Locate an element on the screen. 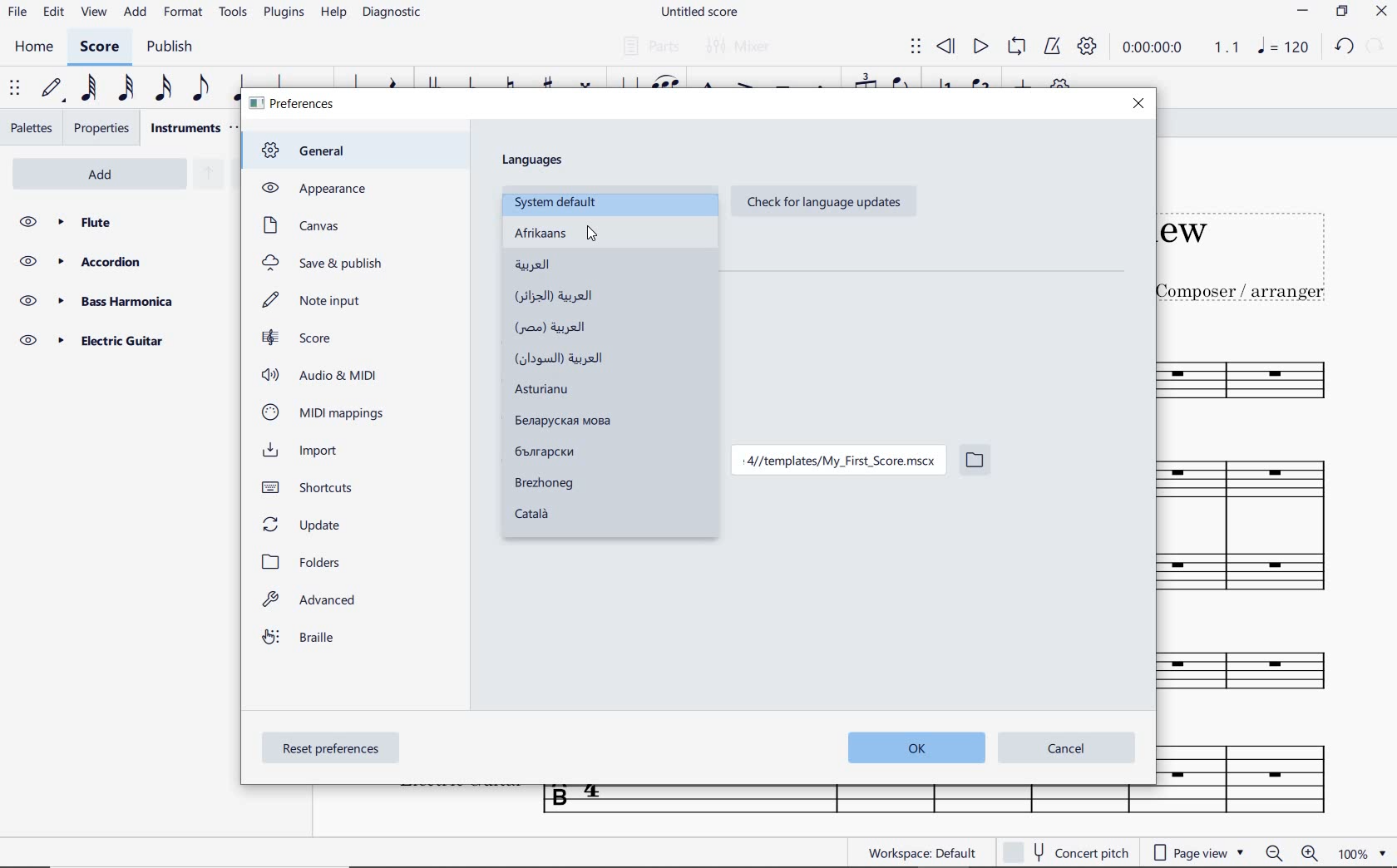 Image resolution: width=1397 pixels, height=868 pixels. Instrument: Accordion is located at coordinates (1264, 534).